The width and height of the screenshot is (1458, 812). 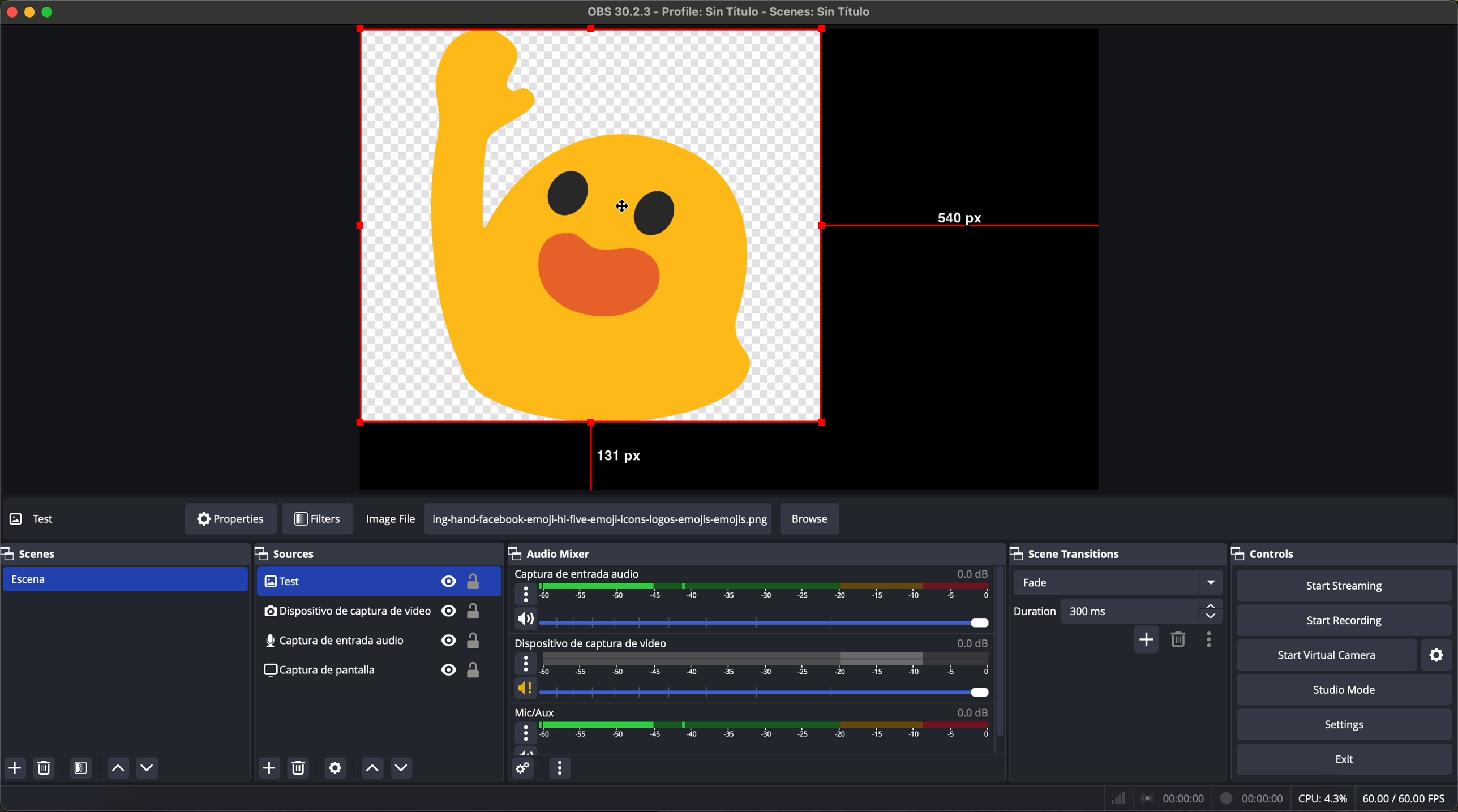 I want to click on transition properties, so click(x=1212, y=641).